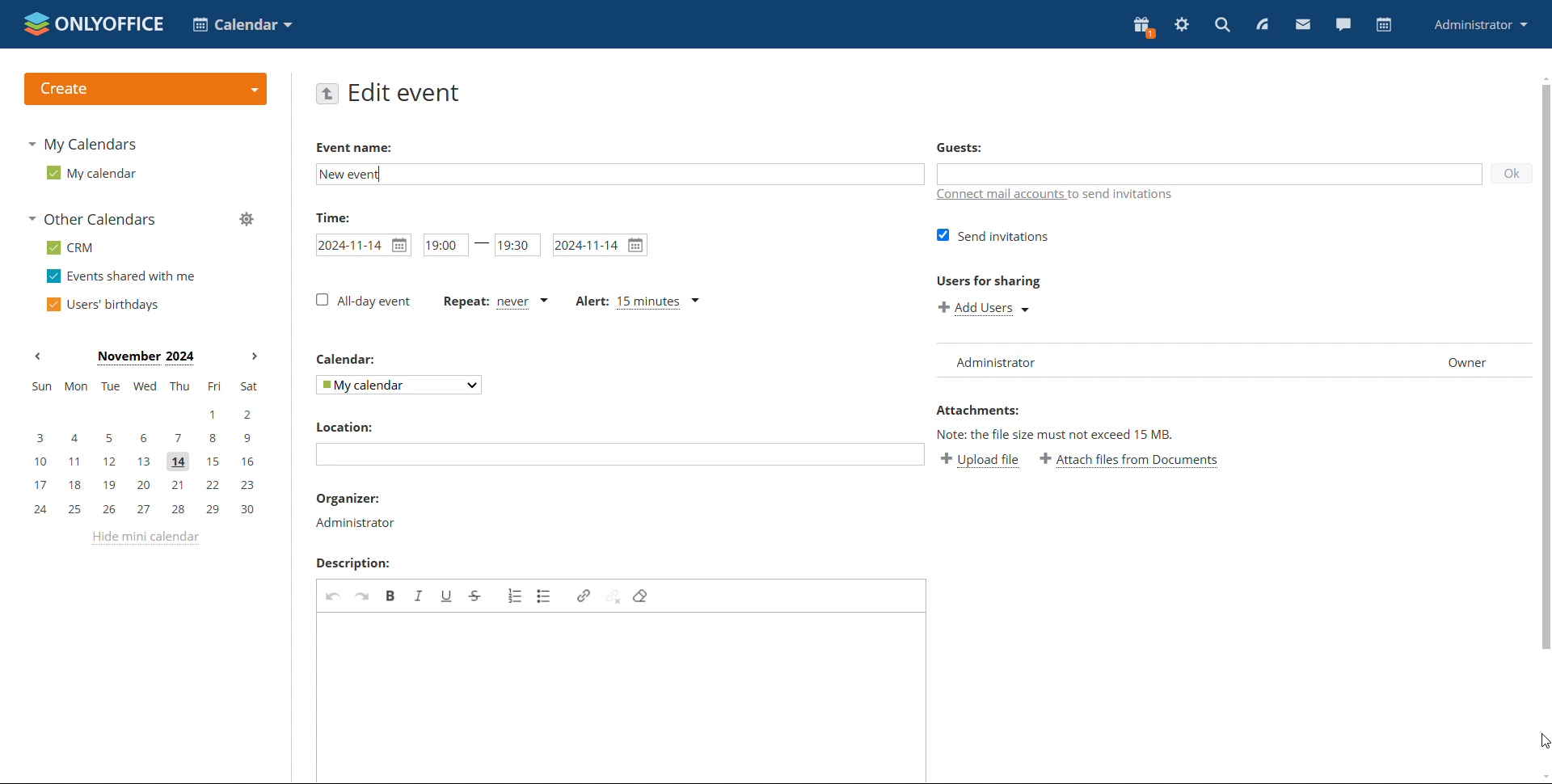 The width and height of the screenshot is (1552, 784). I want to click on Administrator, so click(363, 525).